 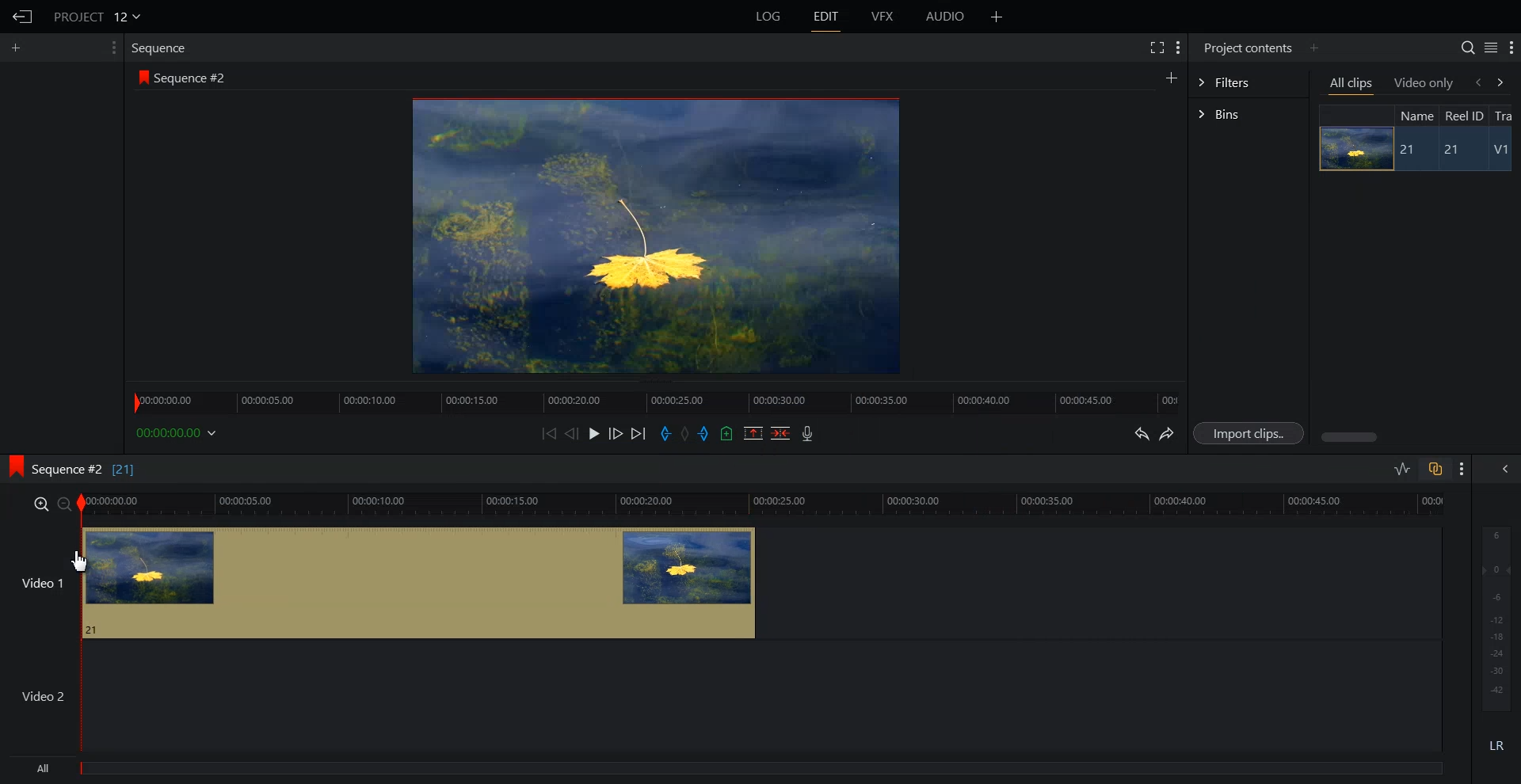 I want to click on Play, so click(x=596, y=433).